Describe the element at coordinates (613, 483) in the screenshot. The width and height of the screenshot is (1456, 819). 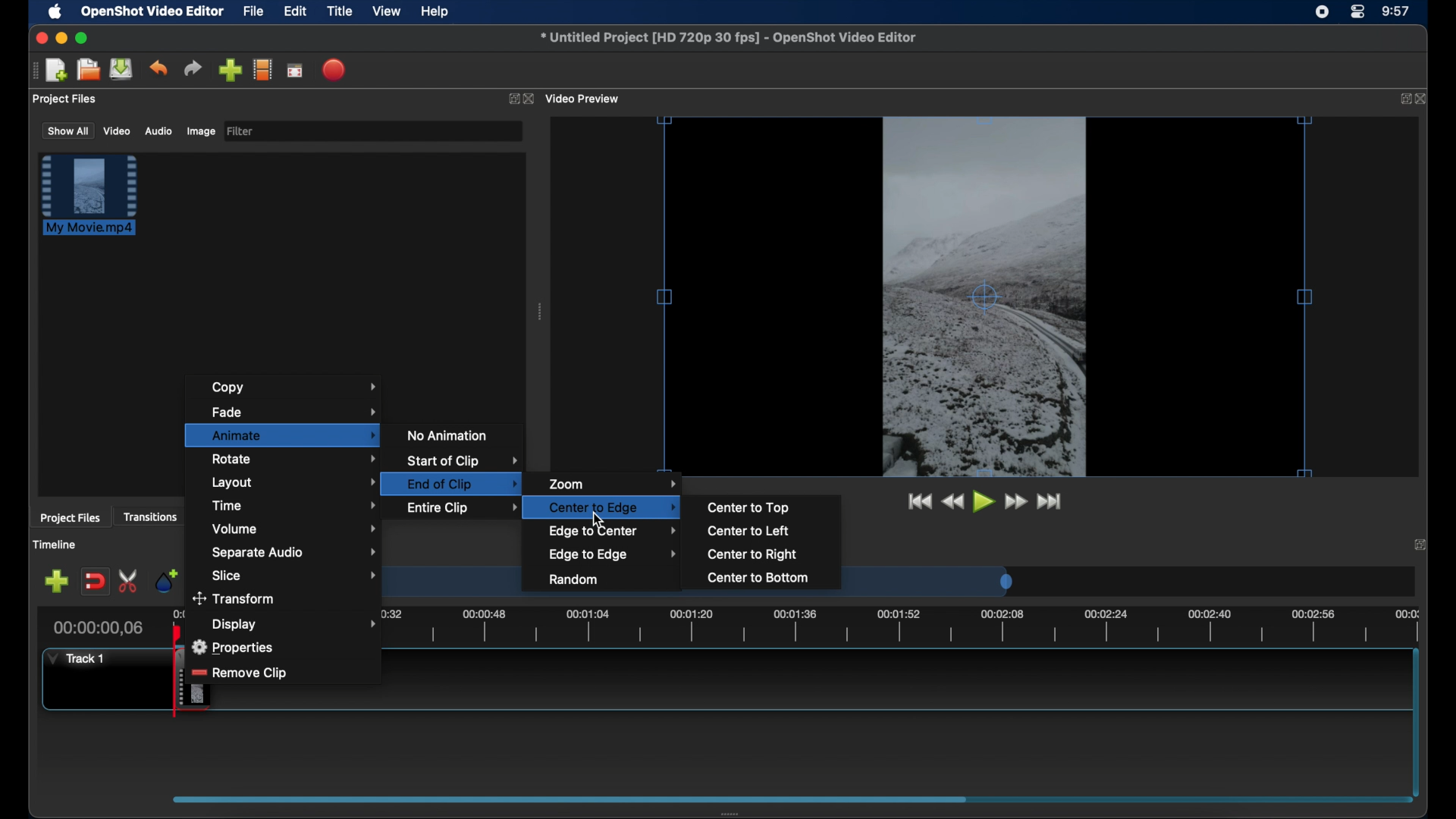
I see `zoom menu` at that location.